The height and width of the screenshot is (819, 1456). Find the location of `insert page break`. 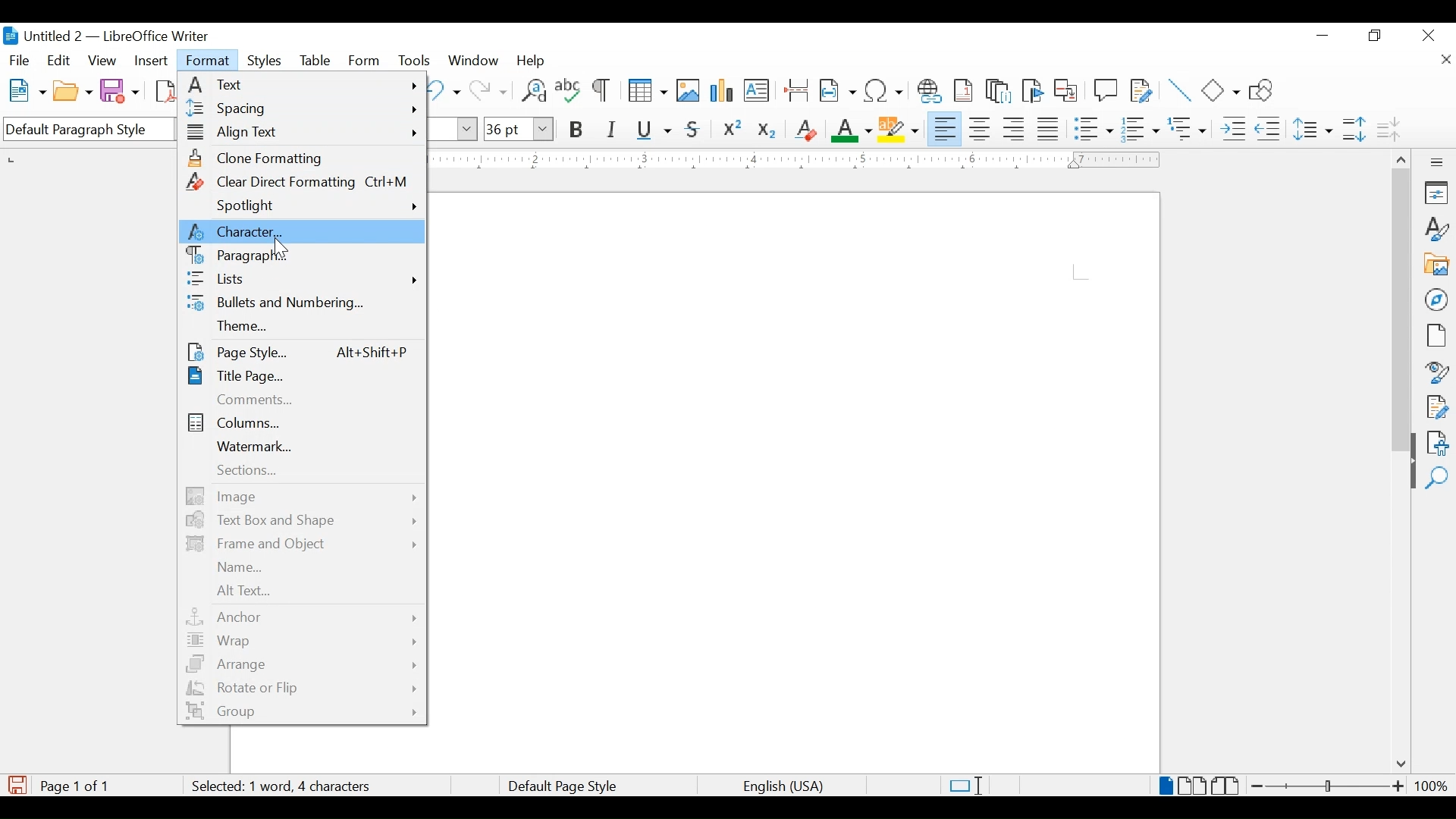

insert page break is located at coordinates (796, 89).